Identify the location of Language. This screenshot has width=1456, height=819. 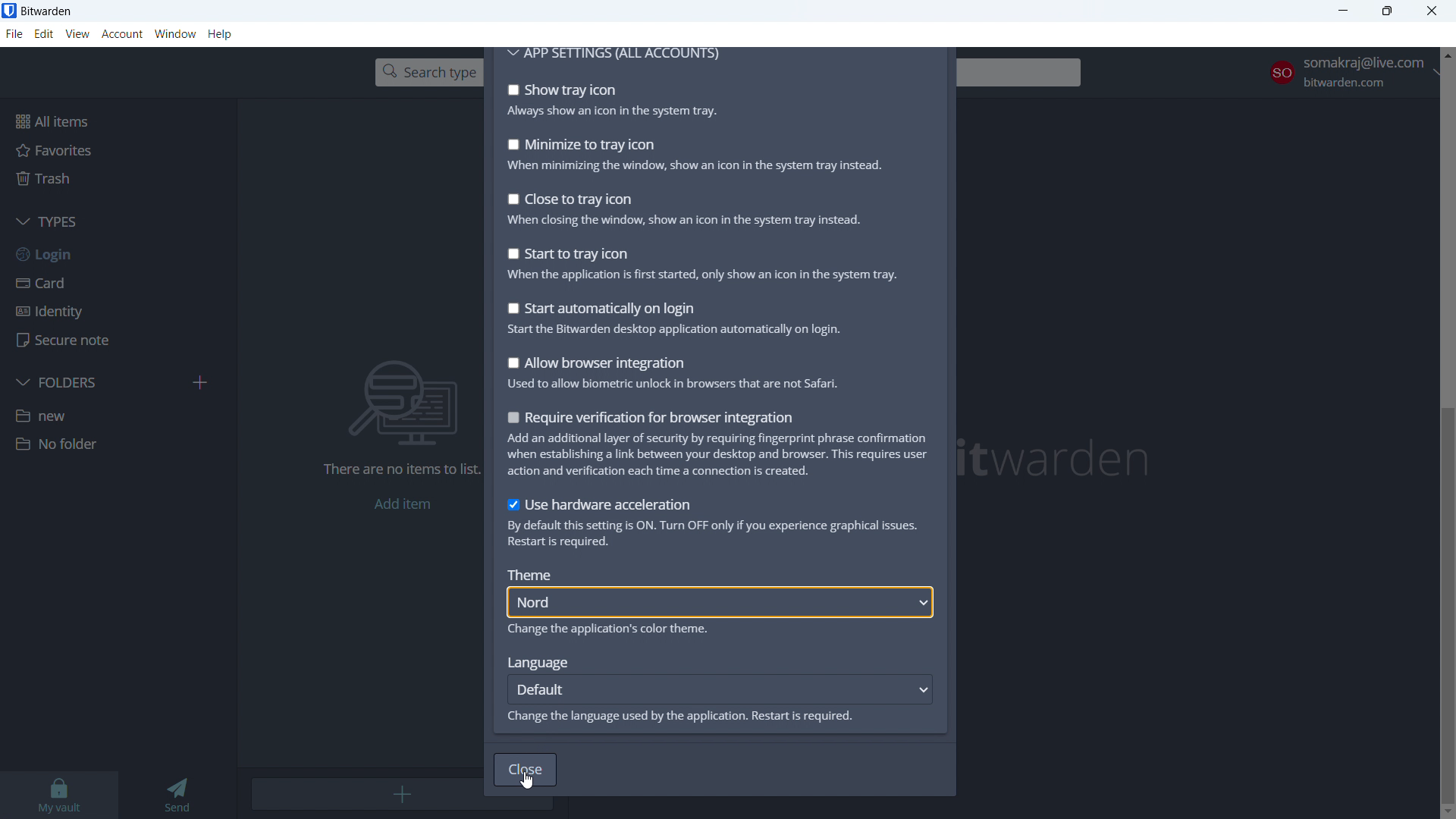
(543, 661).